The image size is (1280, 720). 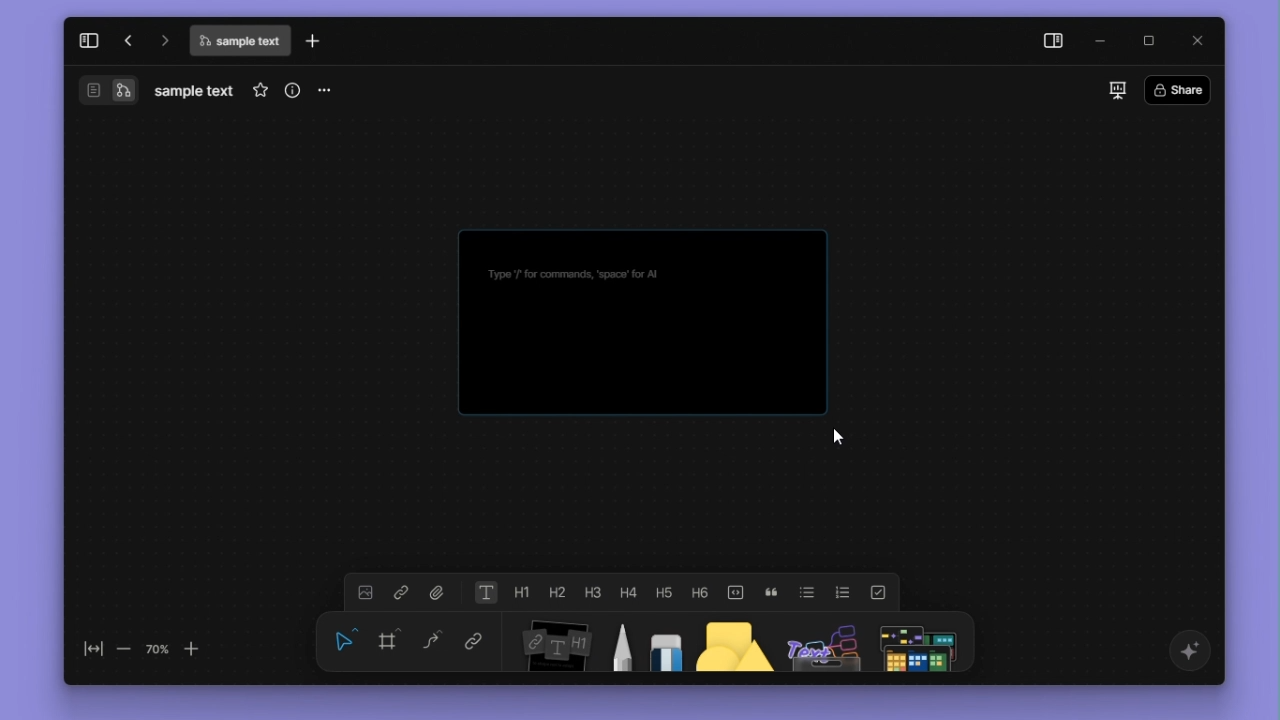 I want to click on share, so click(x=1182, y=88).